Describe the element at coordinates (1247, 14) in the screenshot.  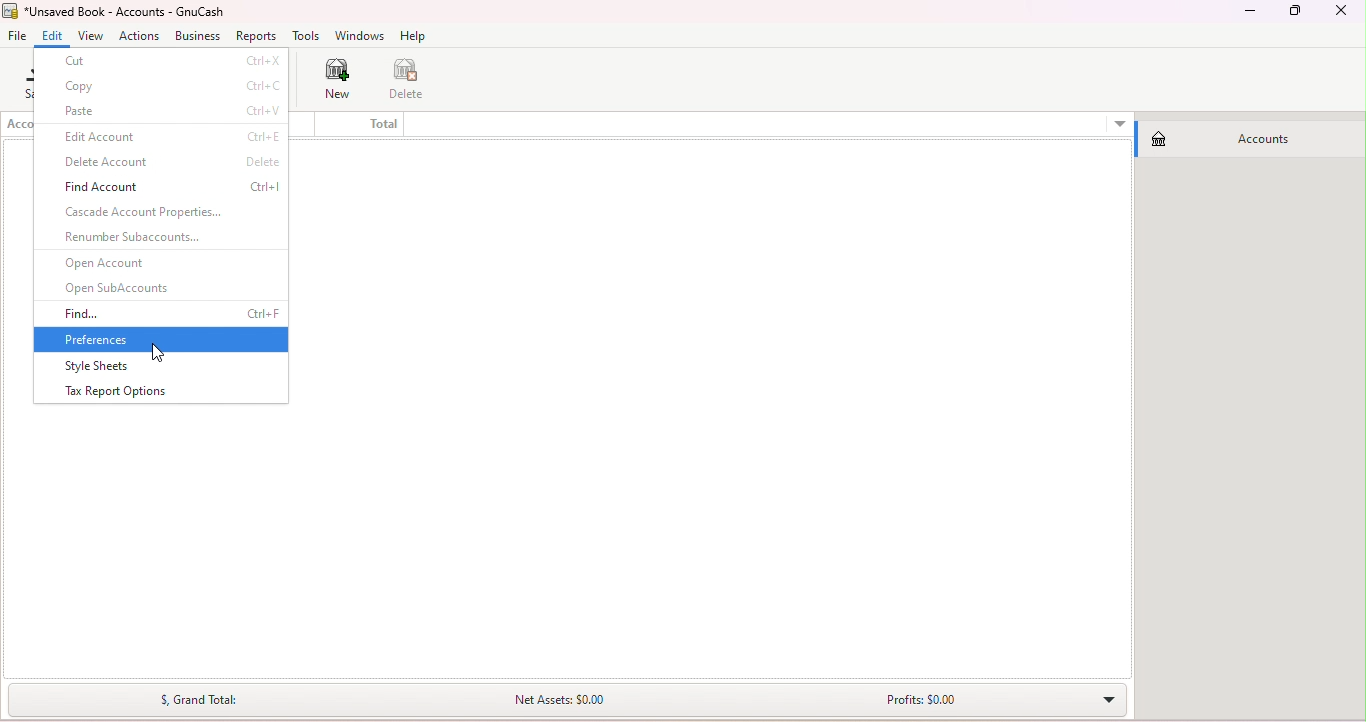
I see `Minimize` at that location.